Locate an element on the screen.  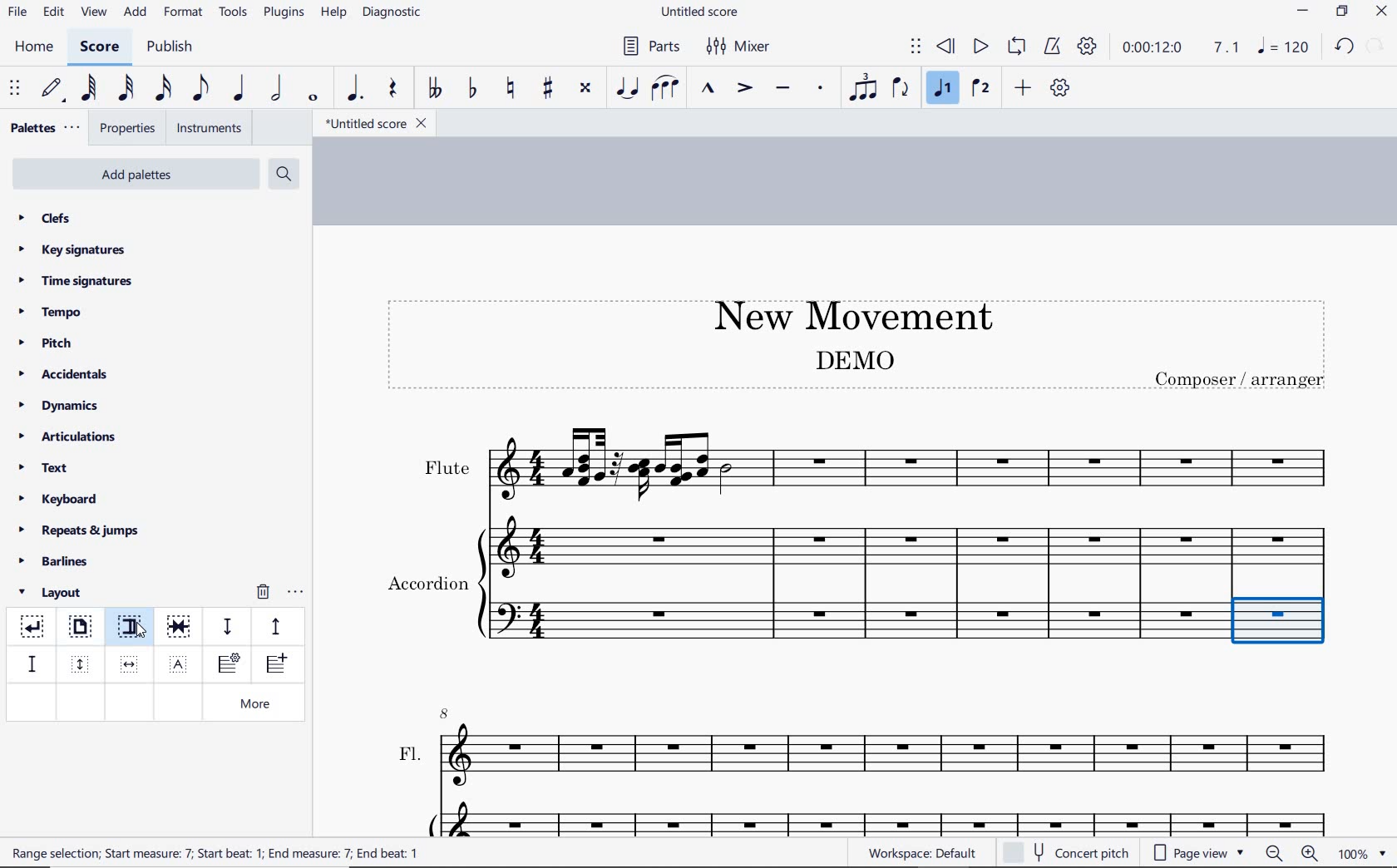
zoom in is located at coordinates (1313, 855).